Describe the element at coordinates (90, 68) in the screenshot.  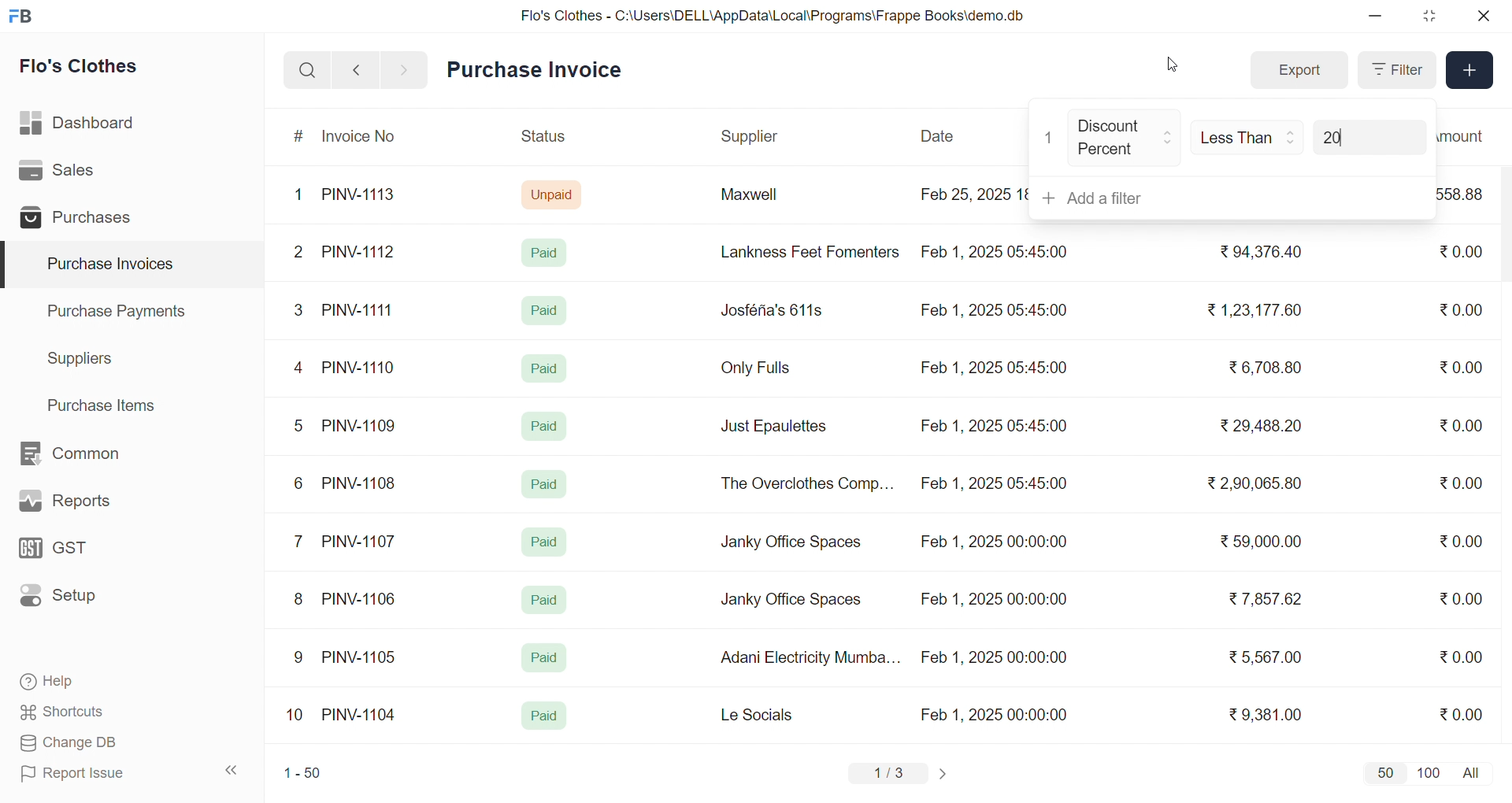
I see `Flo's Clothes` at that location.